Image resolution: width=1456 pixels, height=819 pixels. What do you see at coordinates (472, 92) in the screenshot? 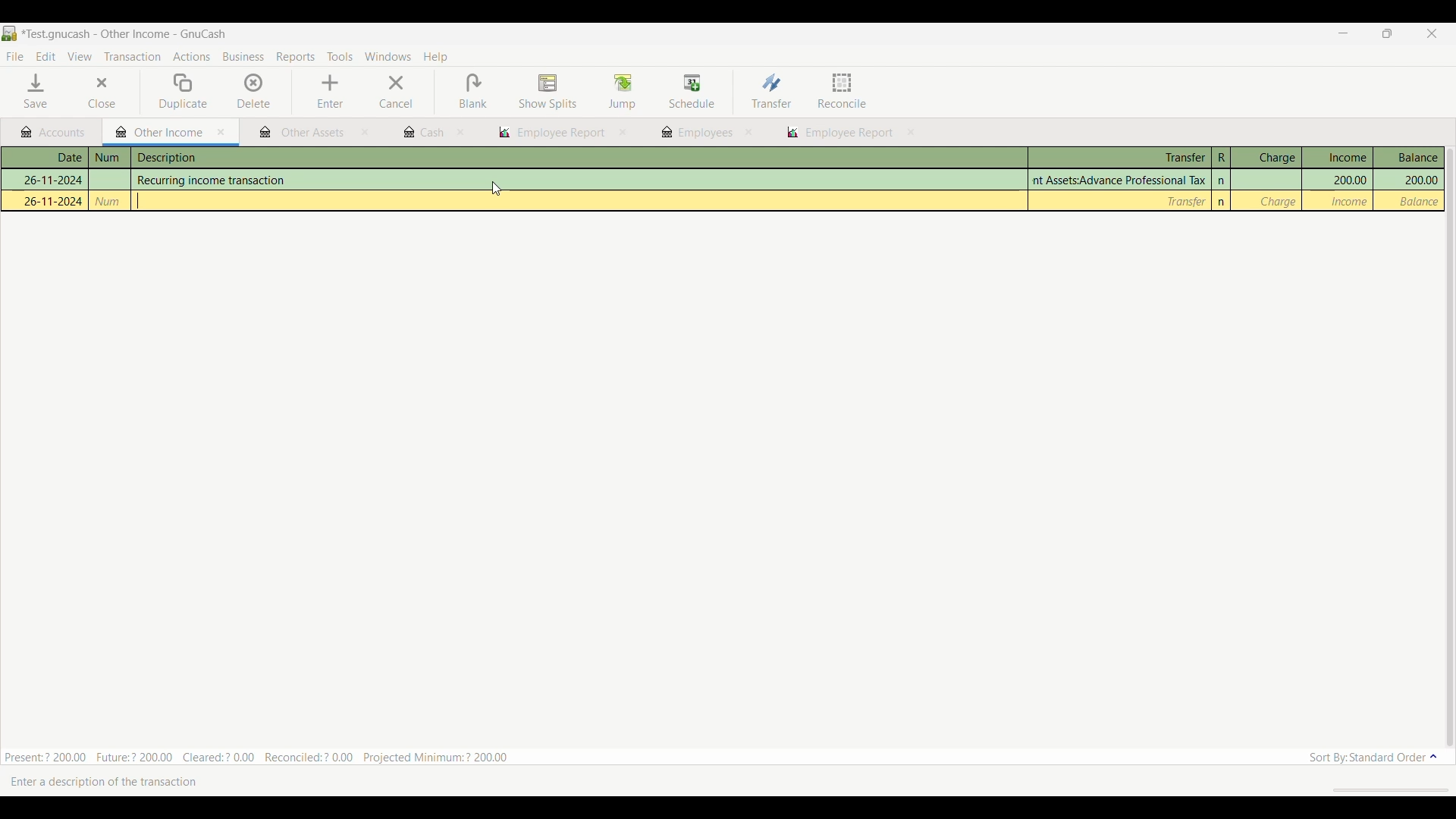
I see `Blank` at bounding box center [472, 92].